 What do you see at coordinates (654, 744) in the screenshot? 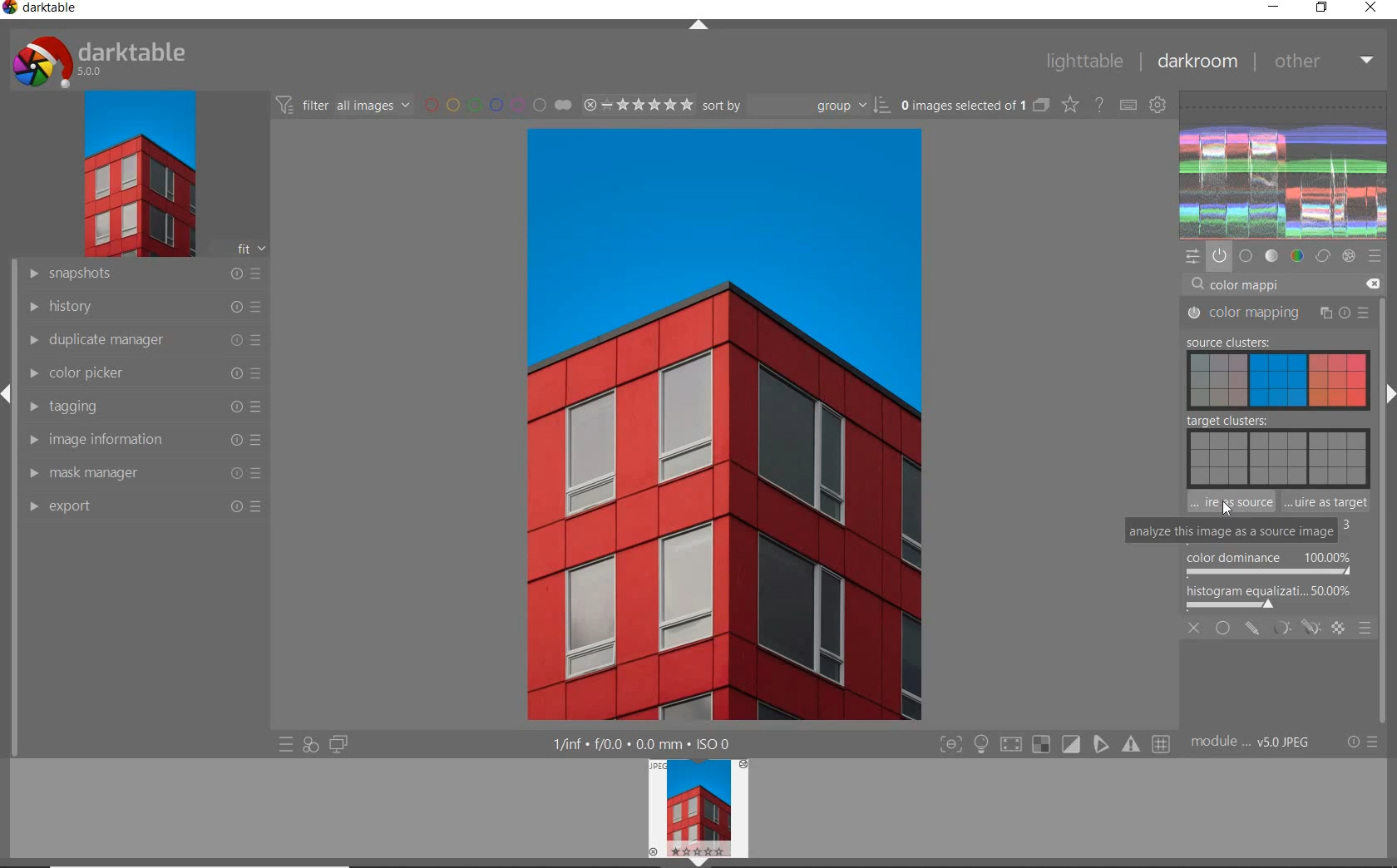
I see `other interface detail` at bounding box center [654, 744].